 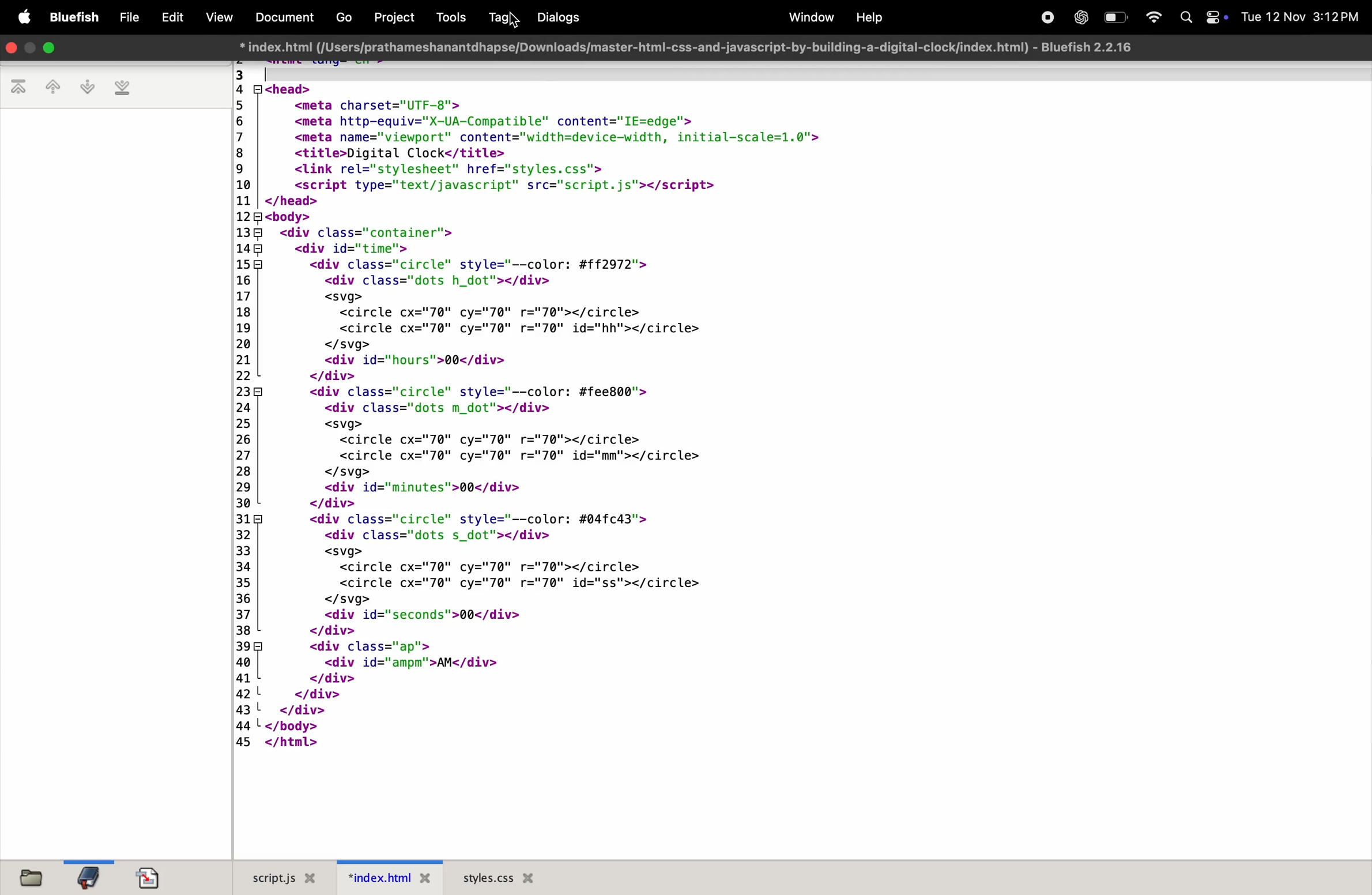 What do you see at coordinates (27, 876) in the screenshot?
I see `new file` at bounding box center [27, 876].